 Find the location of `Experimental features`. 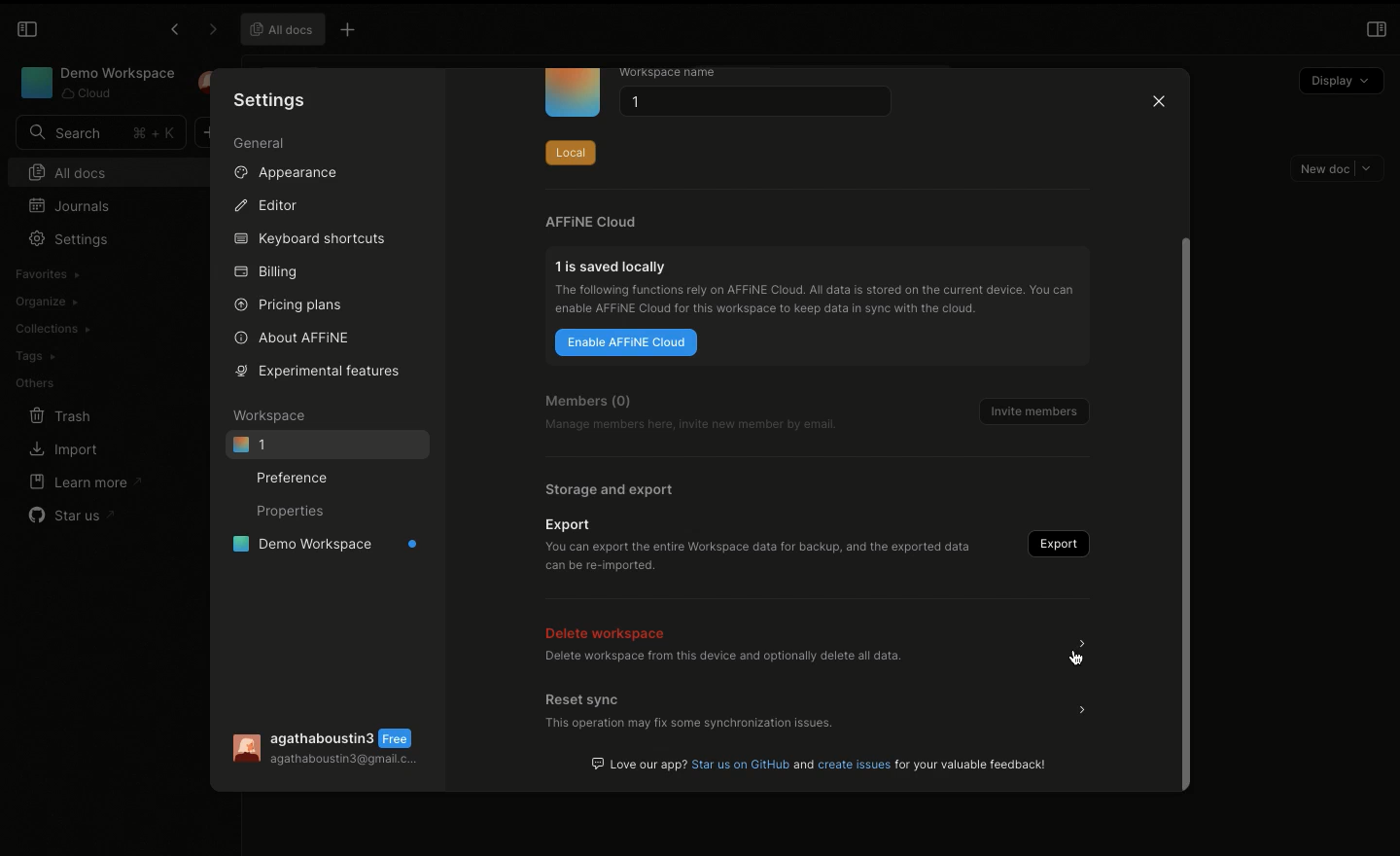

Experimental features is located at coordinates (313, 370).